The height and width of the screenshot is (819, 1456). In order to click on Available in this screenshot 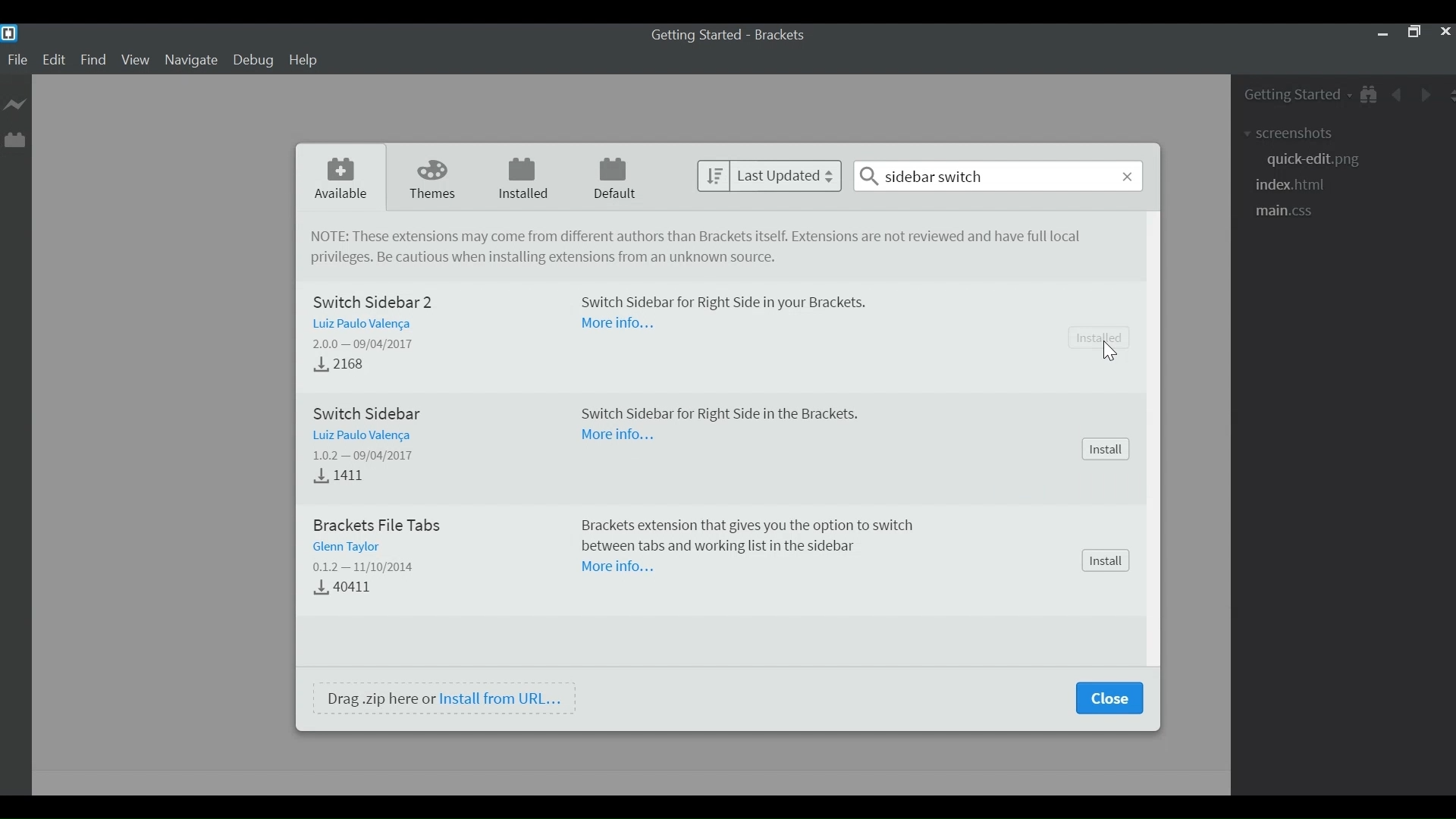, I will do `click(343, 179)`.